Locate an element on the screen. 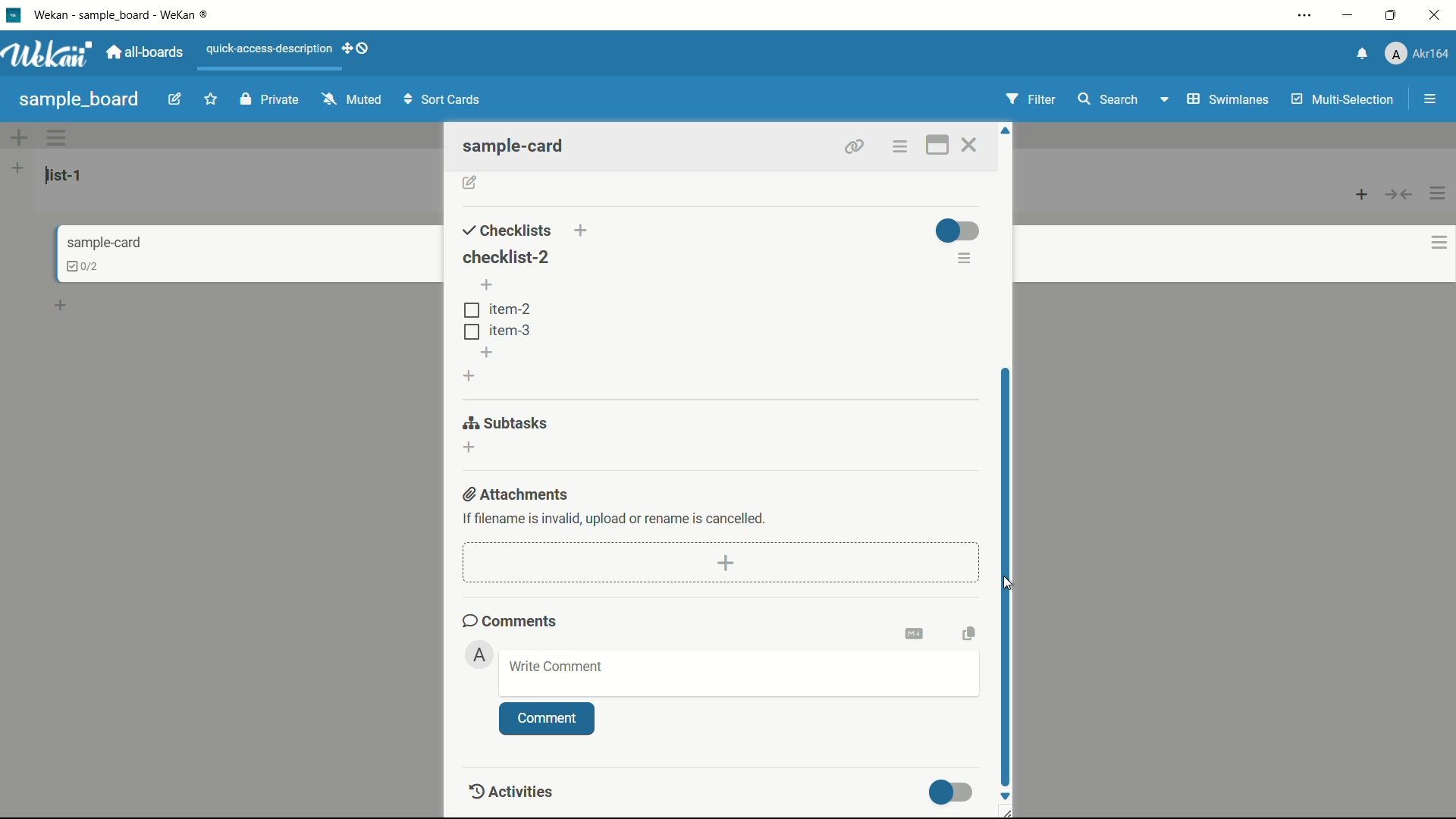  options is located at coordinates (901, 146).